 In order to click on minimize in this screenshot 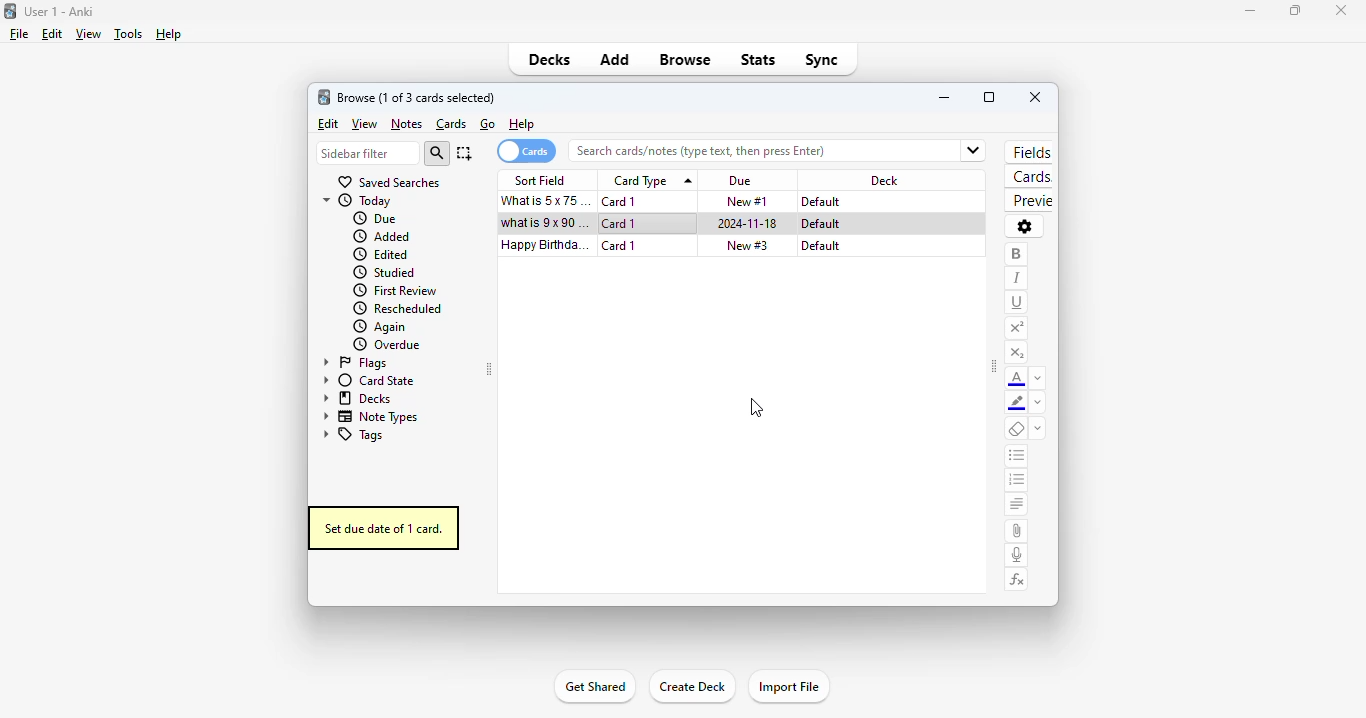, I will do `click(946, 98)`.